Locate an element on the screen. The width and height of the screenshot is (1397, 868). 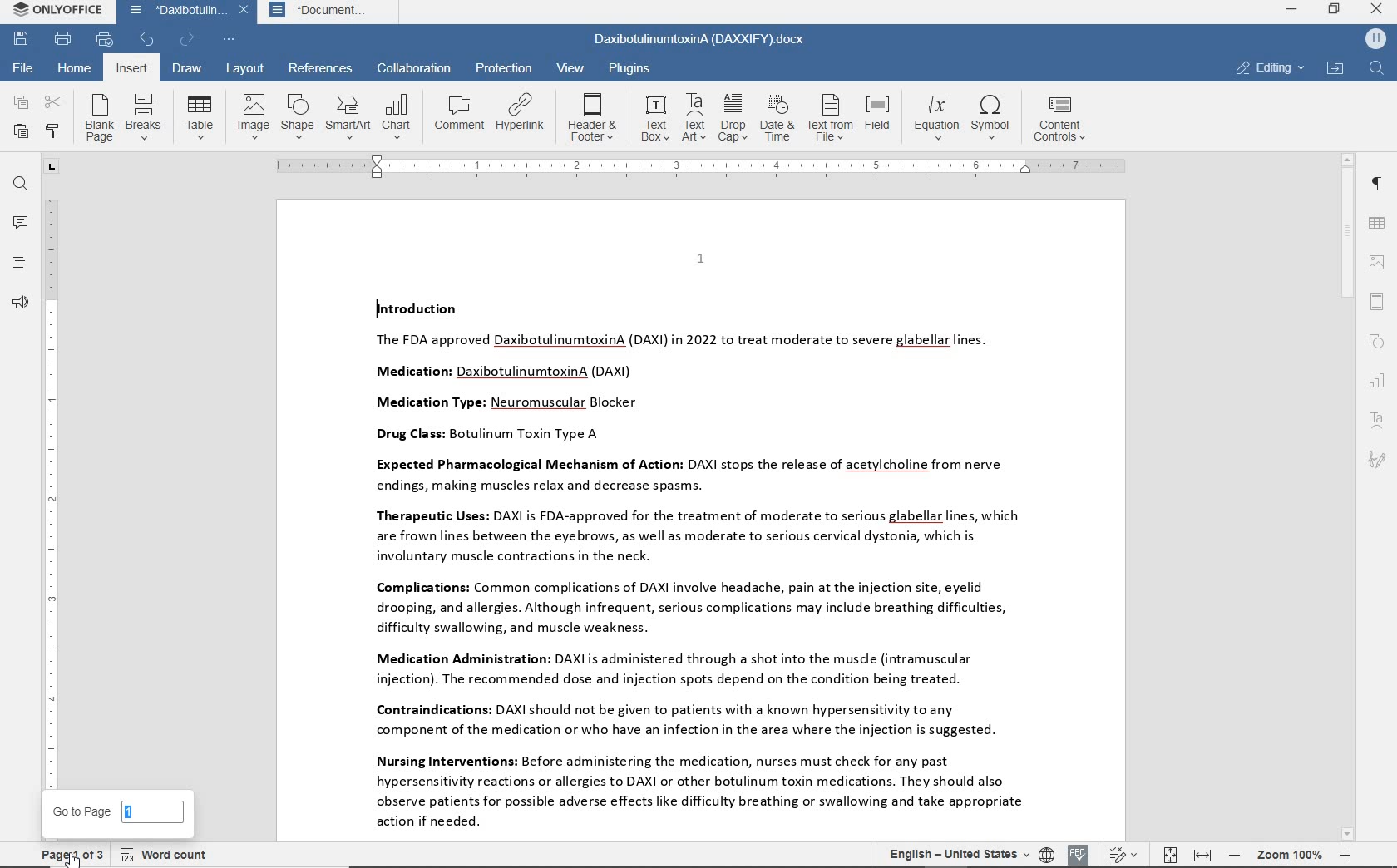
breaks is located at coordinates (143, 116).